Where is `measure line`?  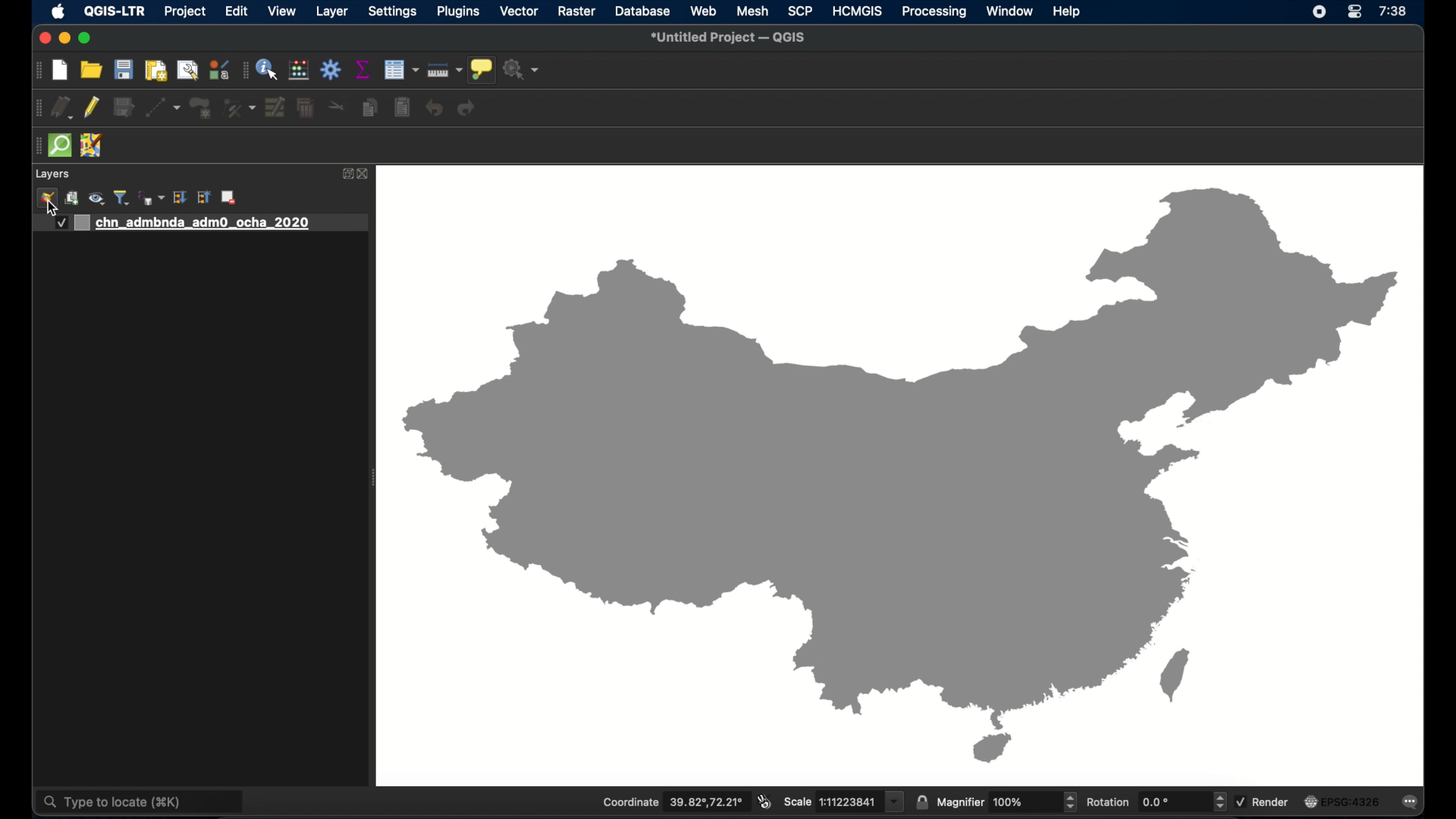 measure line is located at coordinates (444, 70).